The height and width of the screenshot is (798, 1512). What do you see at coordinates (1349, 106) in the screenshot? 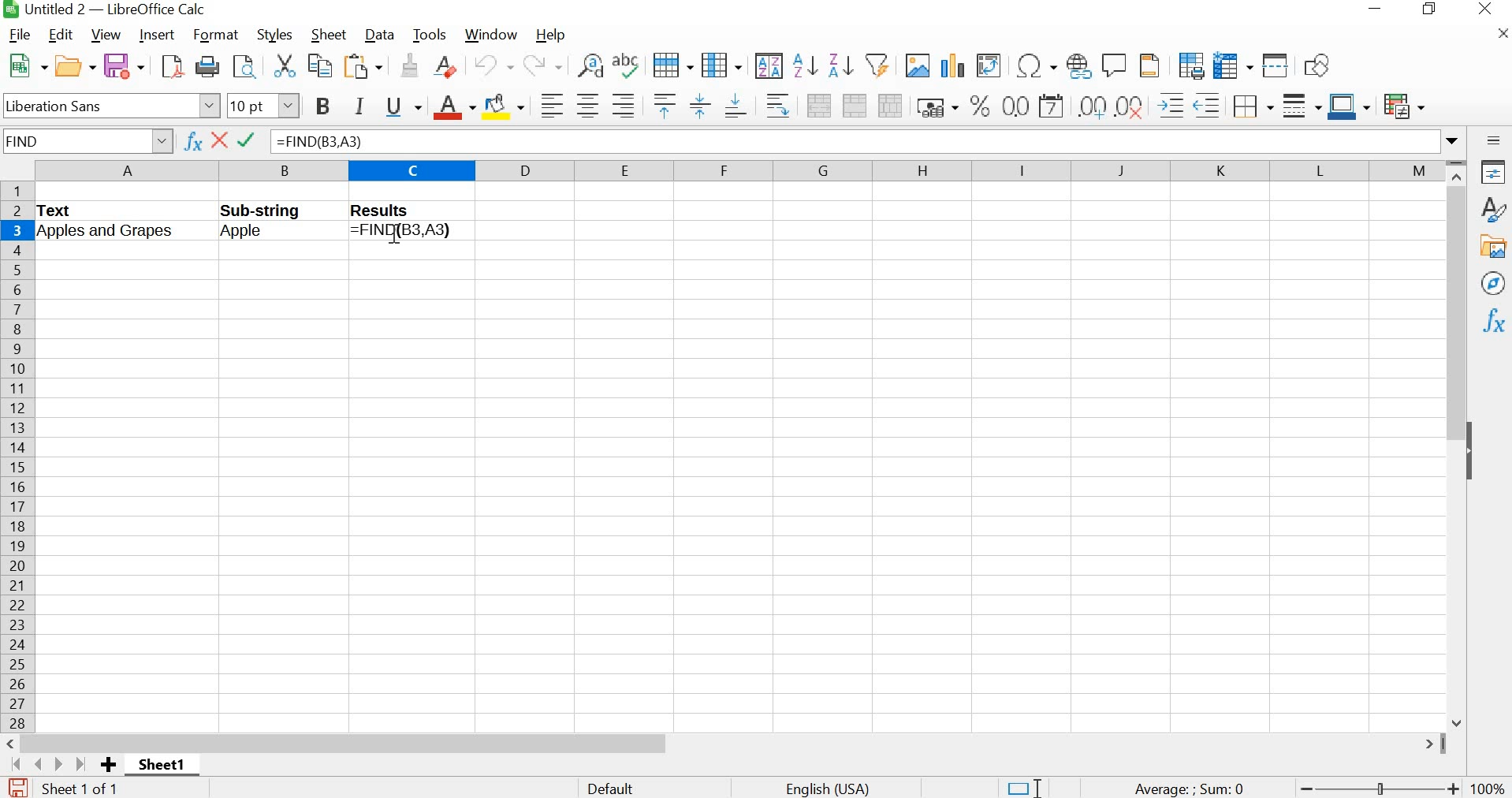
I see `border color` at bounding box center [1349, 106].